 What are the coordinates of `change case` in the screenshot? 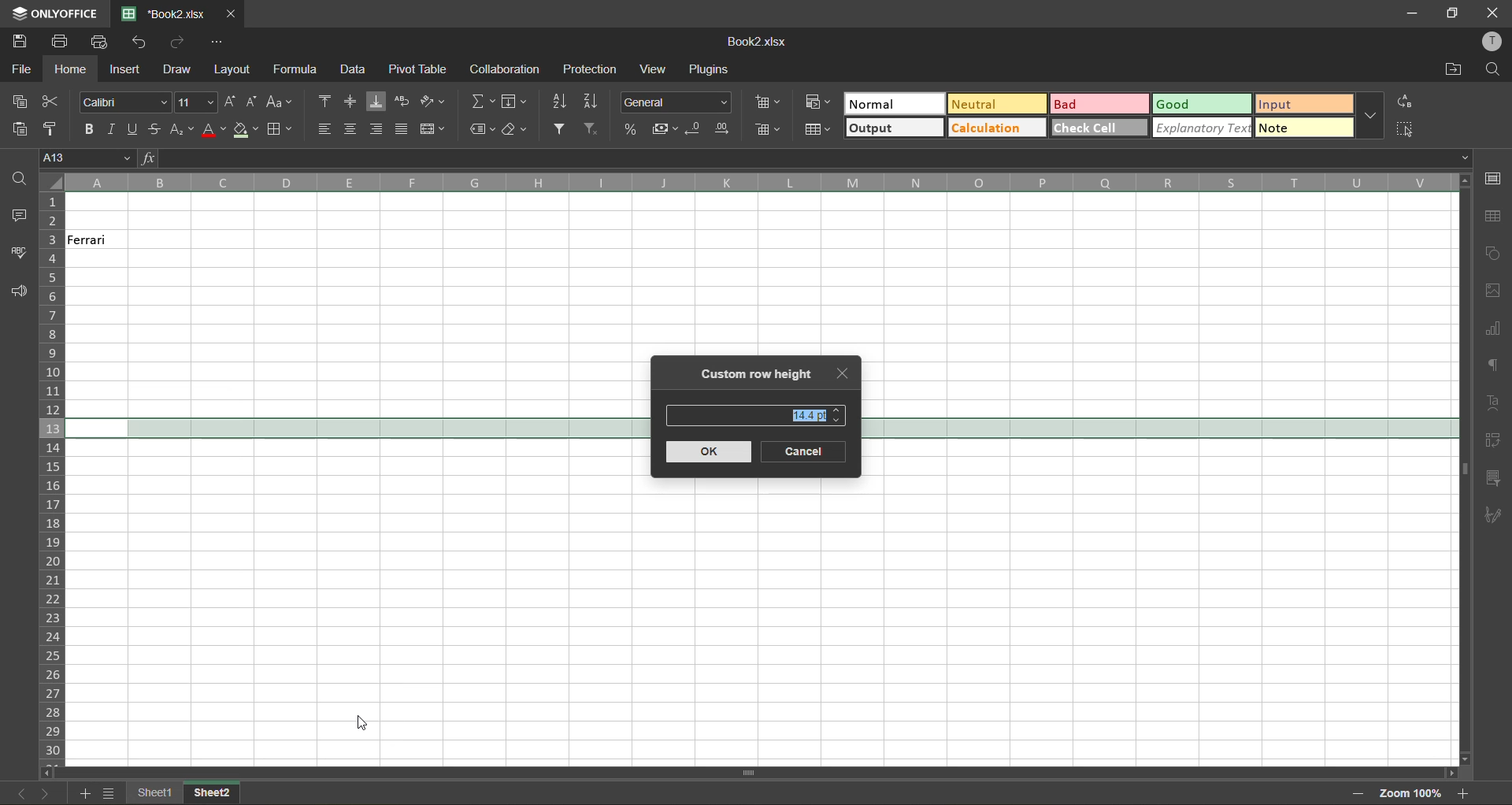 It's located at (281, 103).